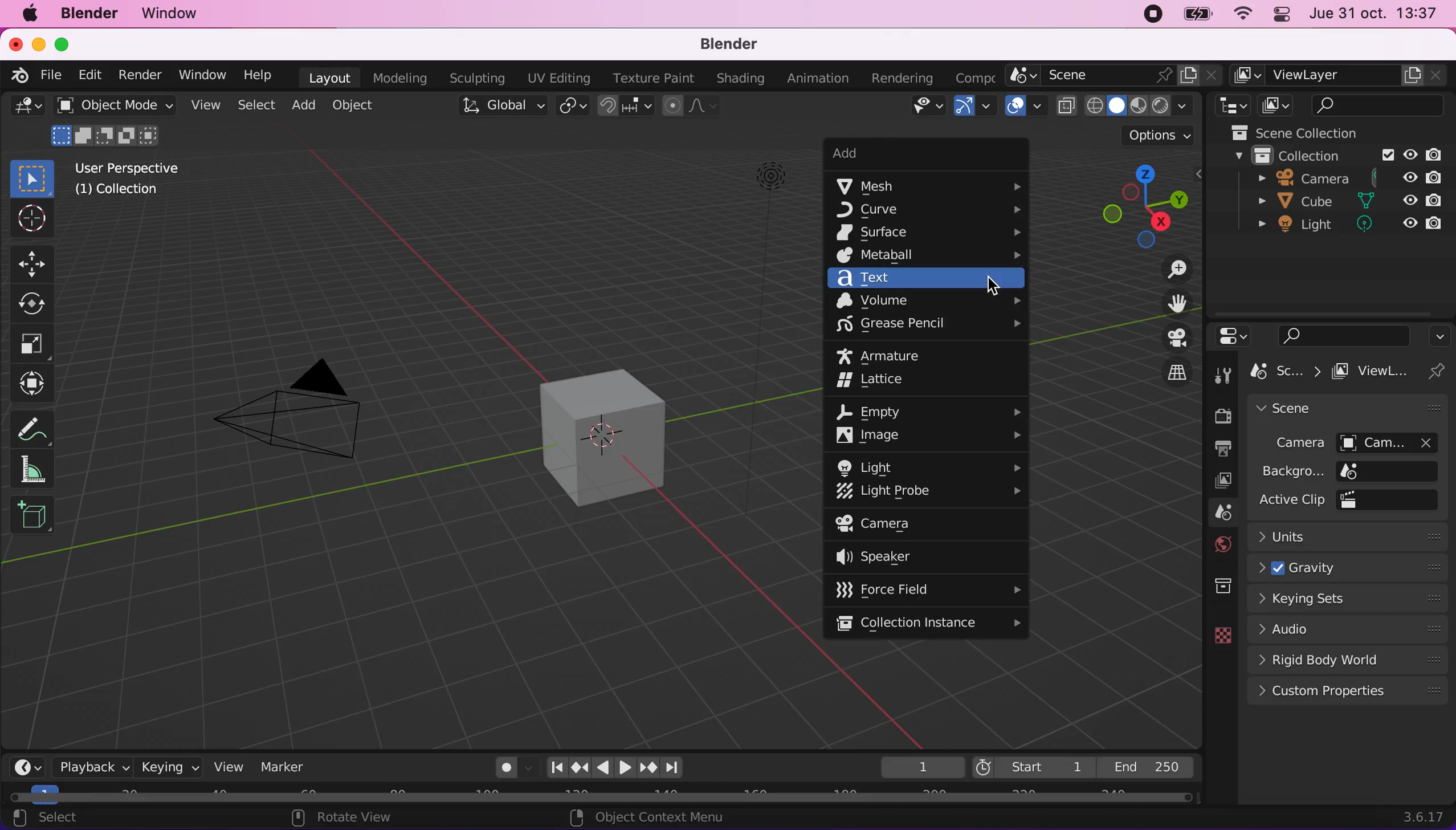 The width and height of the screenshot is (1456, 830). I want to click on recording stopped, so click(1148, 14).